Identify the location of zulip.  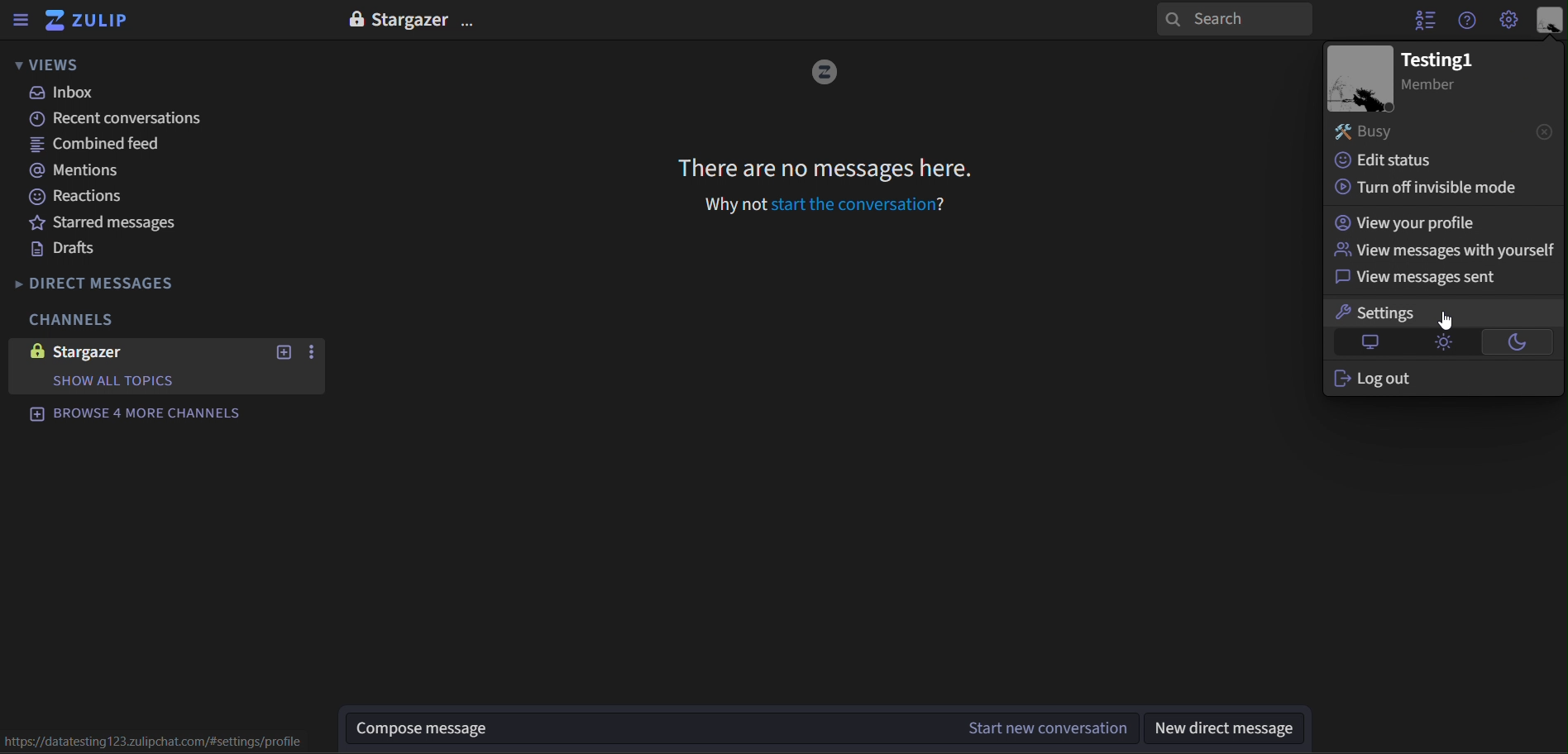
(94, 21).